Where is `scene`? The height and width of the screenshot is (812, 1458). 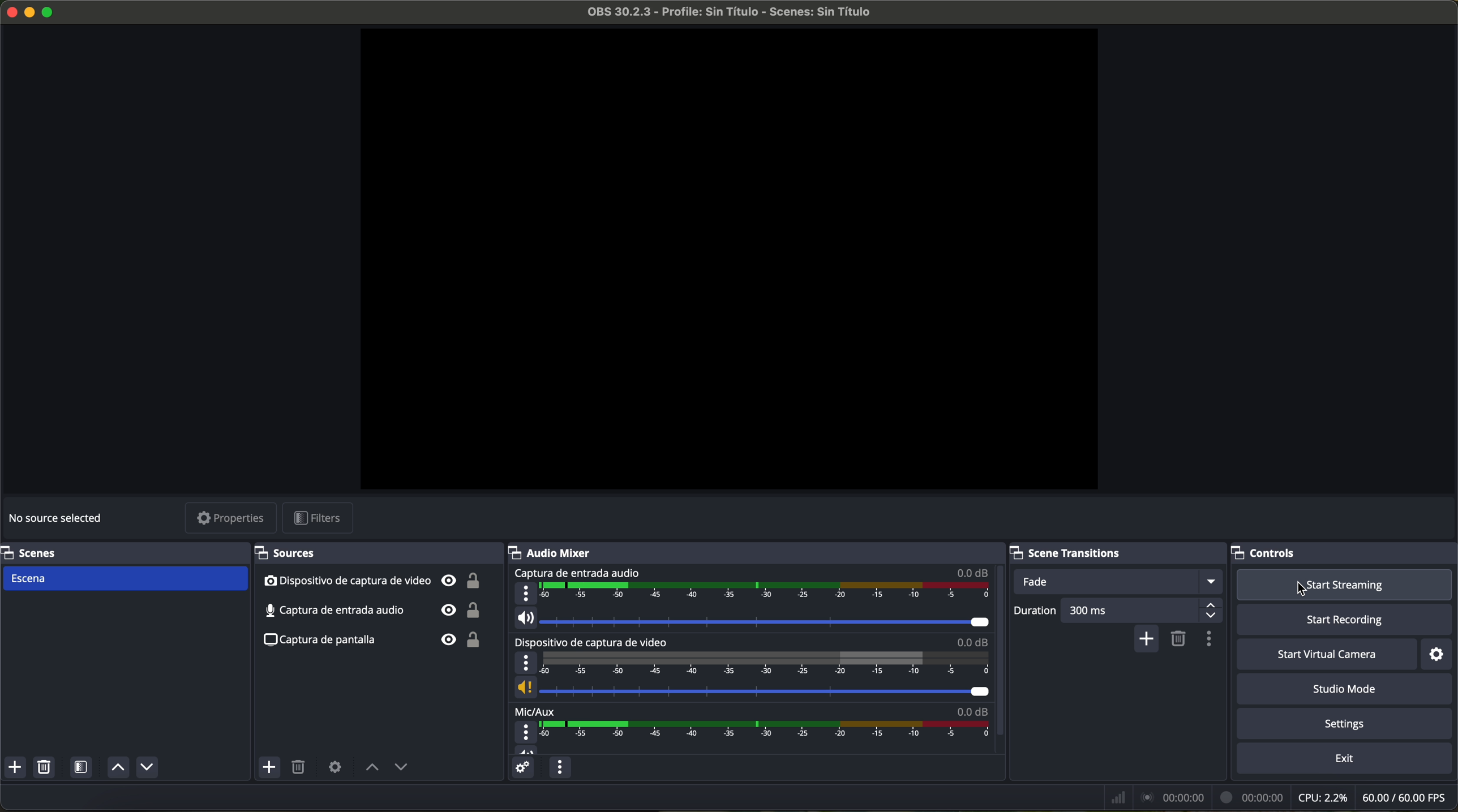 scene is located at coordinates (126, 578).